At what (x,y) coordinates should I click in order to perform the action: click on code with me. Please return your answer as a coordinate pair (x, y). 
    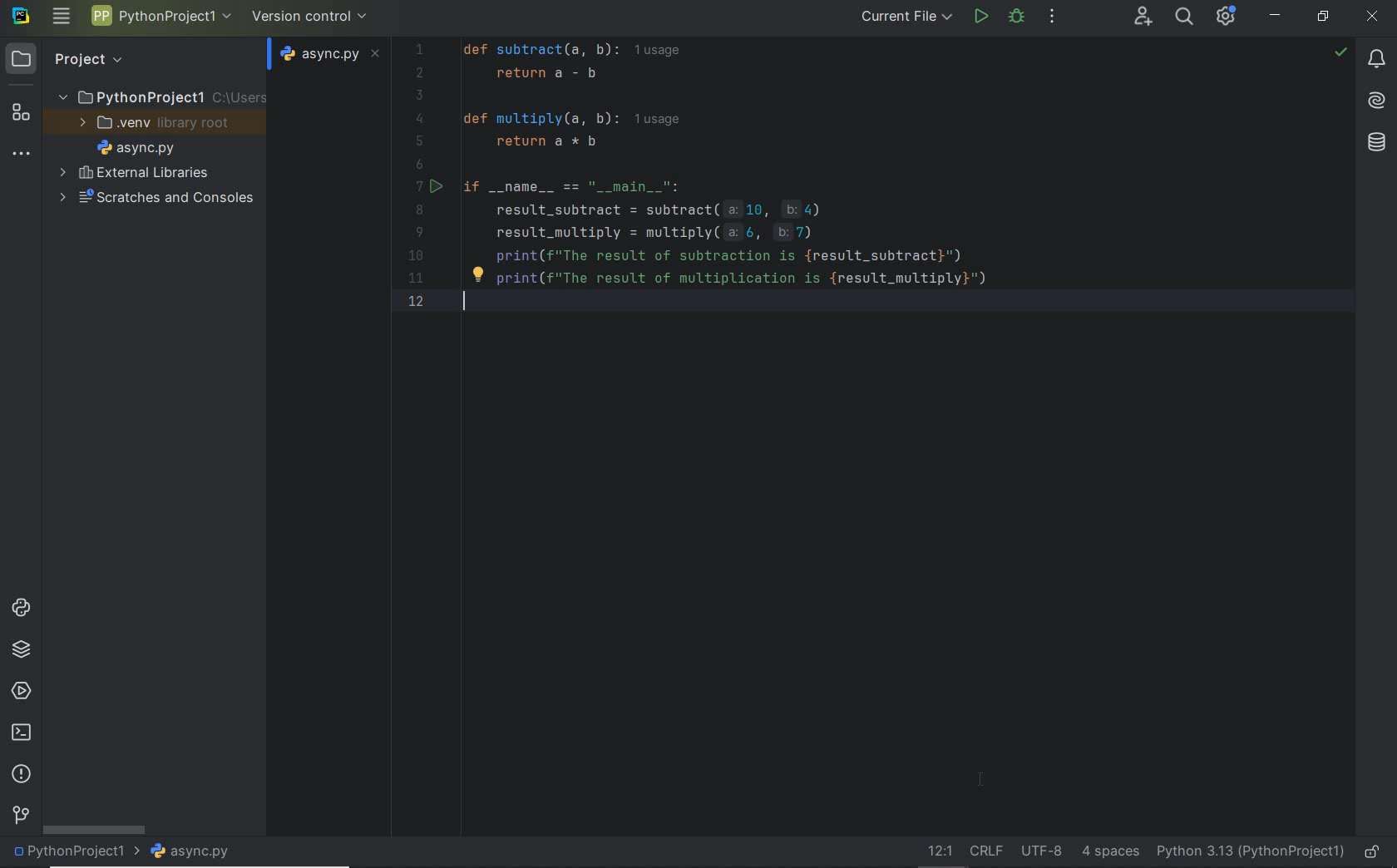
    Looking at the image, I should click on (1143, 19).